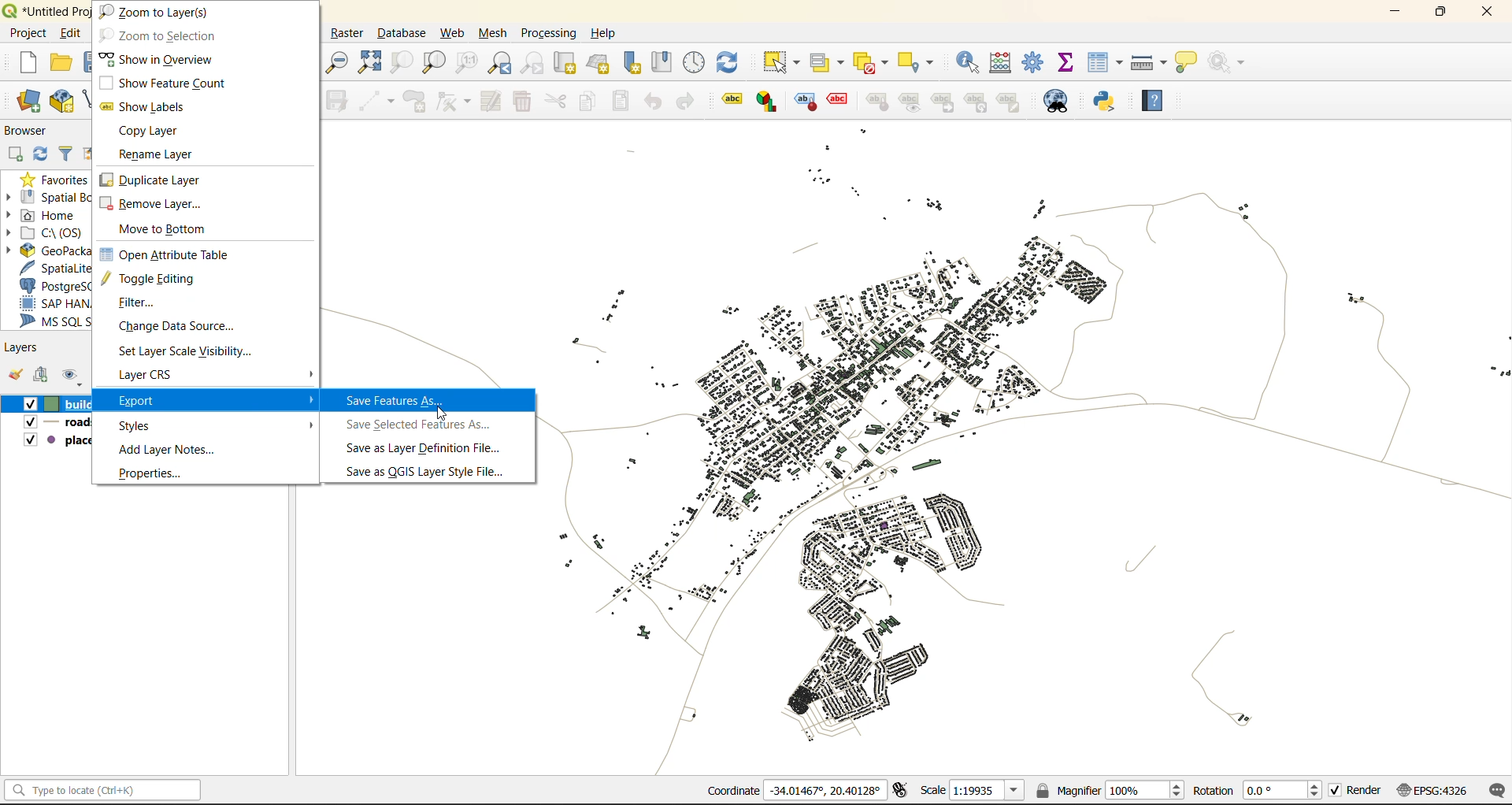  What do you see at coordinates (903, 791) in the screenshot?
I see `toggle extents` at bounding box center [903, 791].